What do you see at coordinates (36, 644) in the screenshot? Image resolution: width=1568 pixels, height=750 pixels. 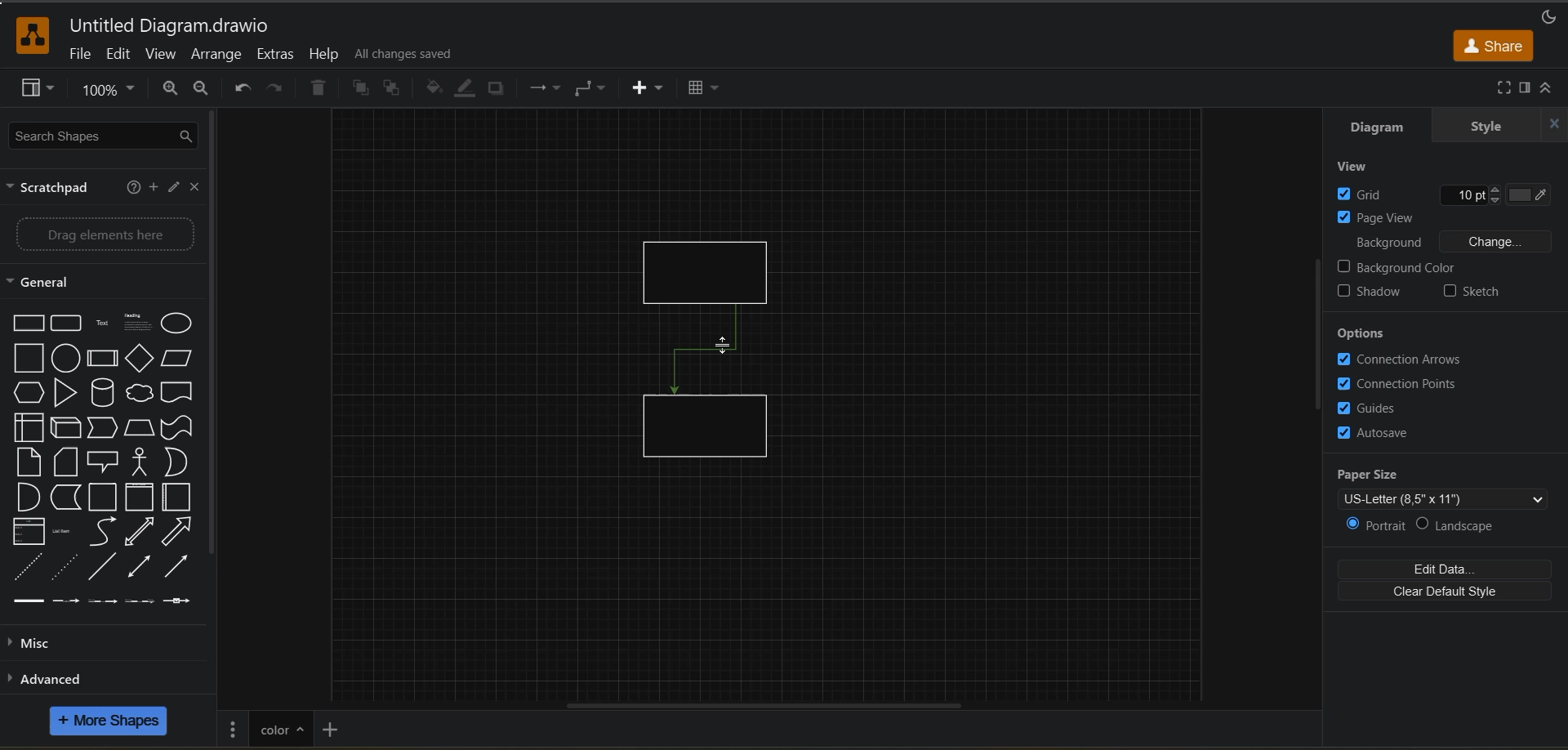 I see `misc` at bounding box center [36, 644].